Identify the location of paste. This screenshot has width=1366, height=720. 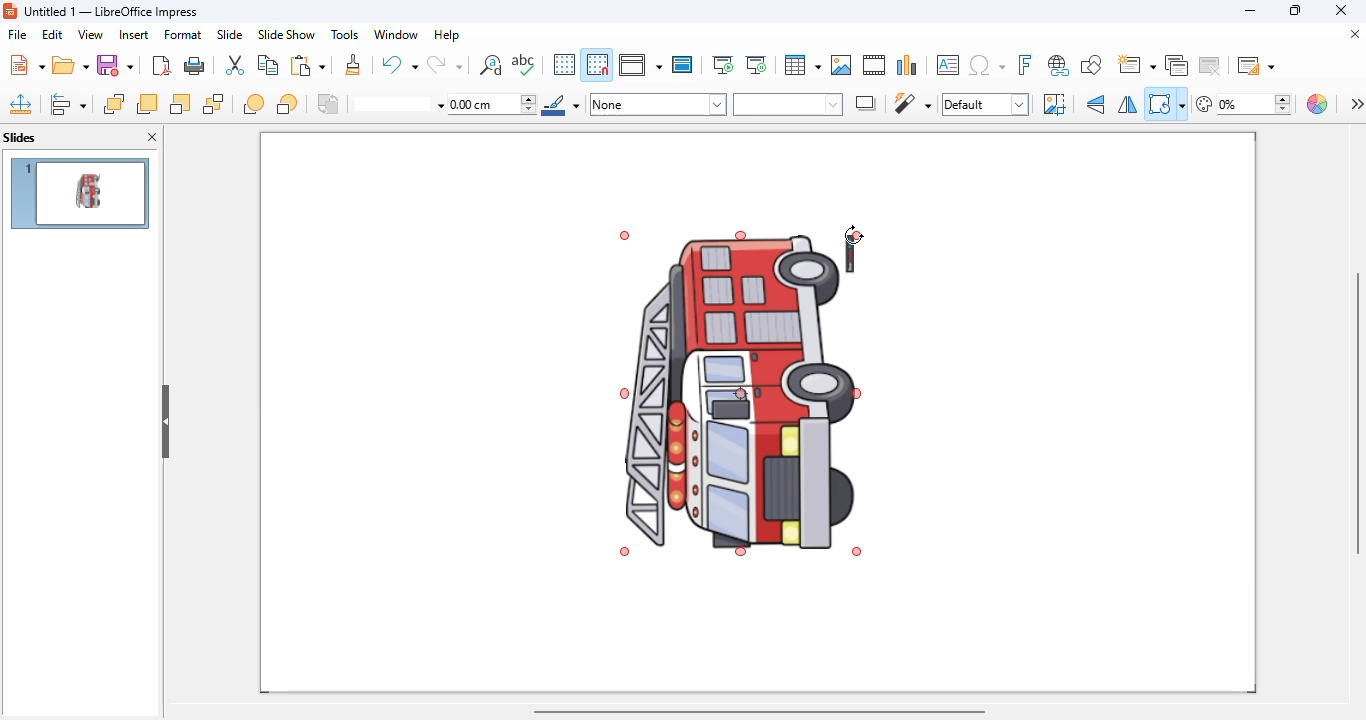
(307, 64).